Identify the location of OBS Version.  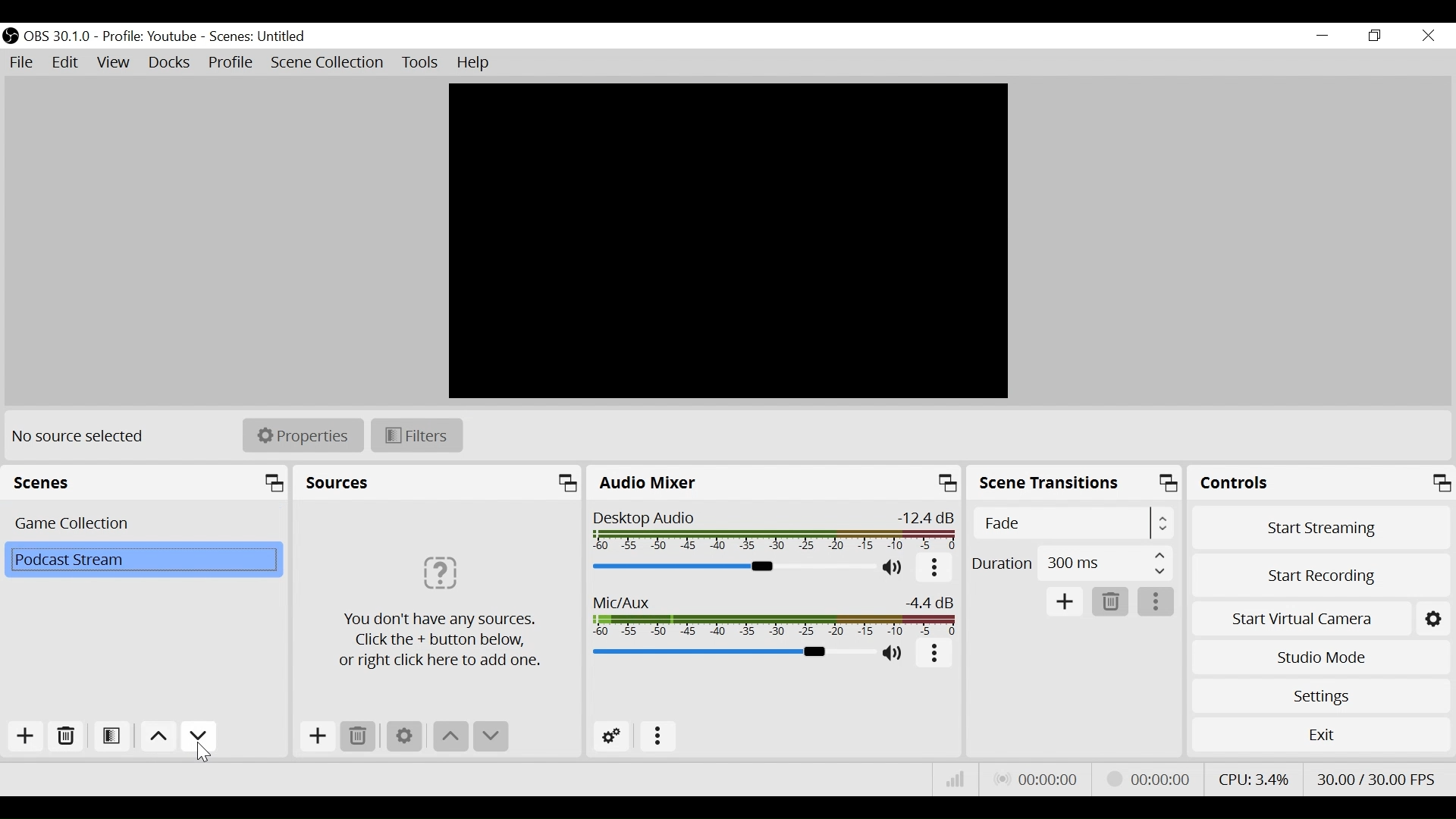
(60, 36).